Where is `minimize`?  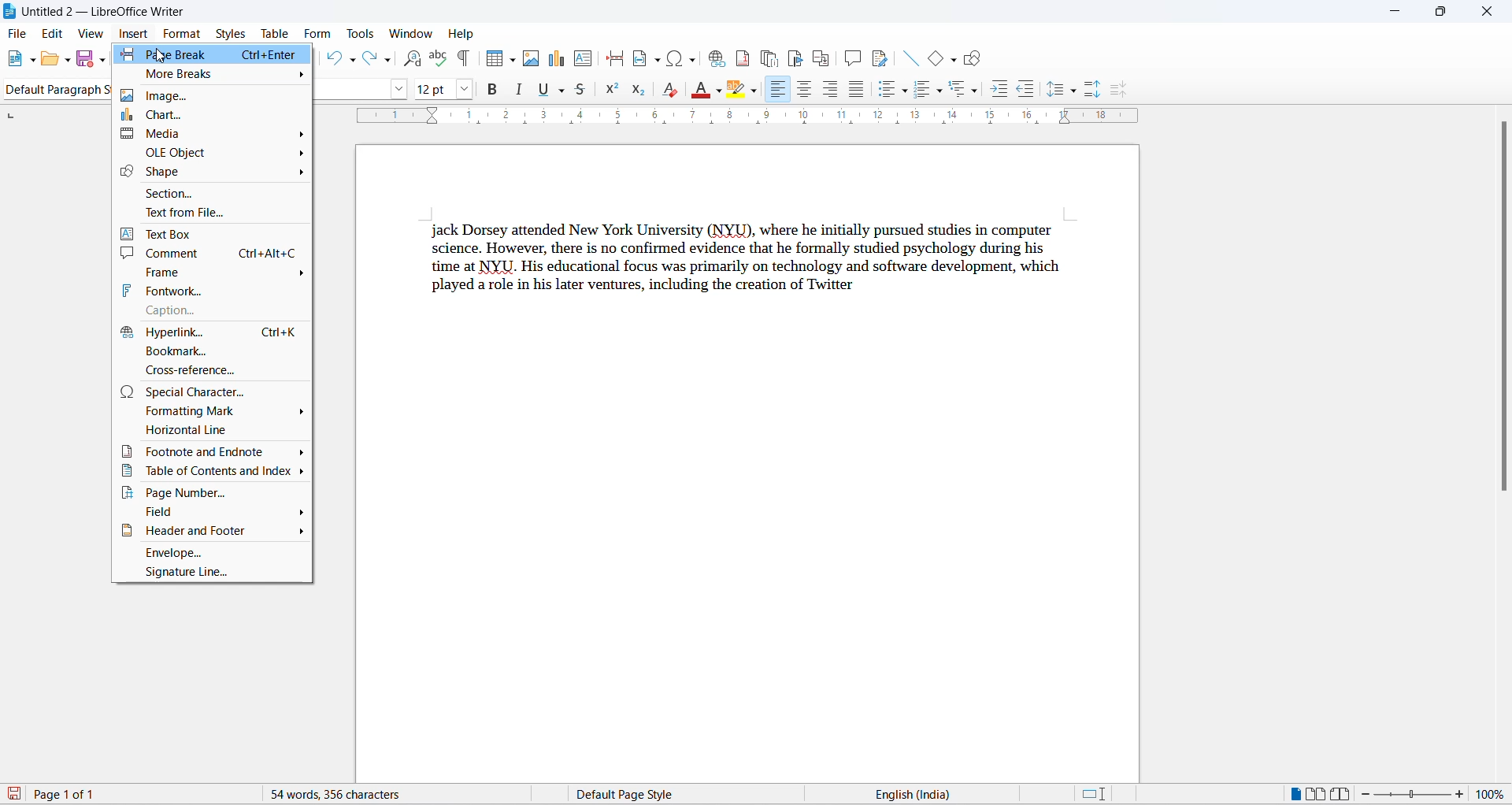 minimize is located at coordinates (1392, 11).